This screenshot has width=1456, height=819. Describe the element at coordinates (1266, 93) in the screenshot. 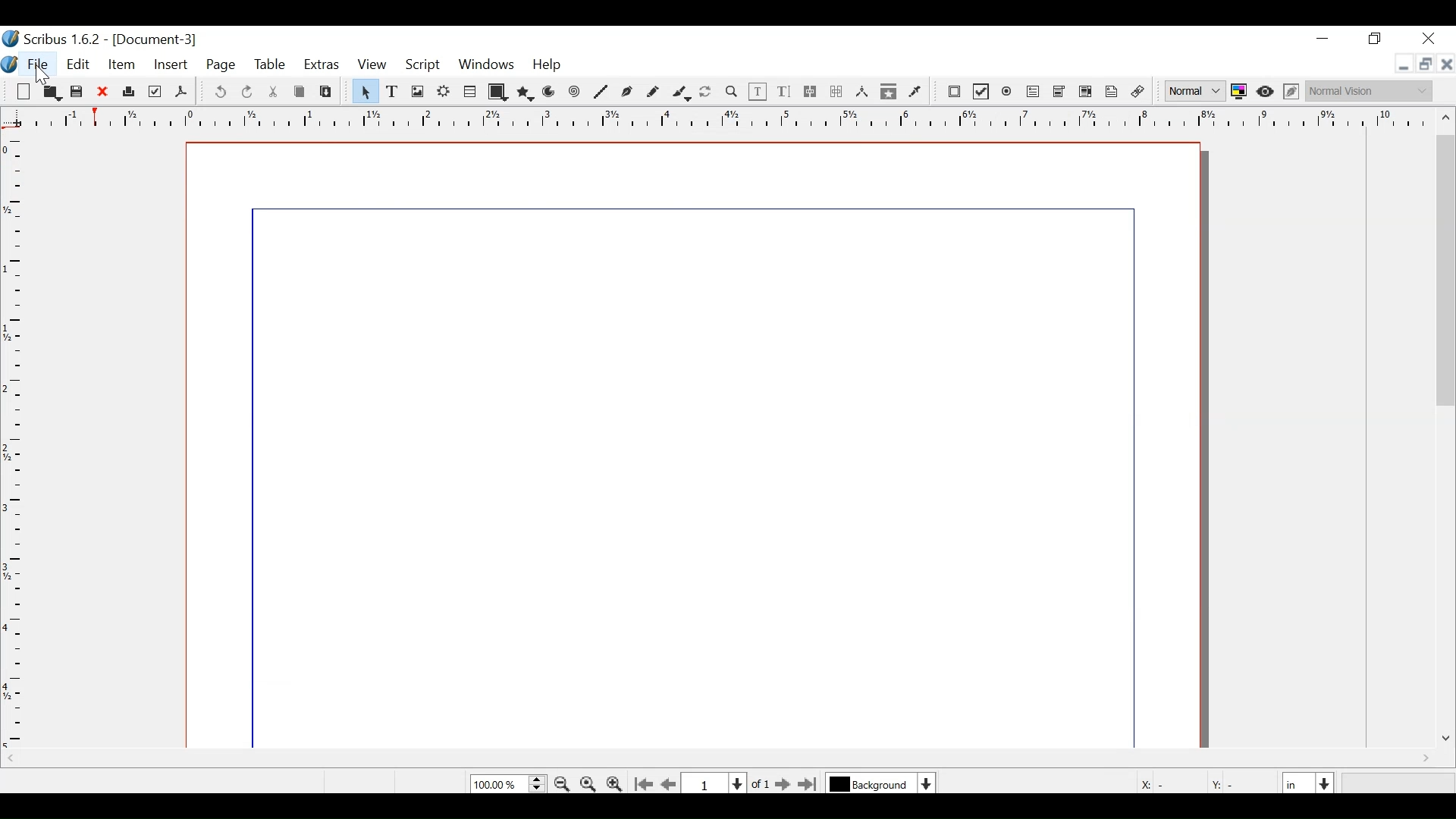

I see `Preview mode` at that location.